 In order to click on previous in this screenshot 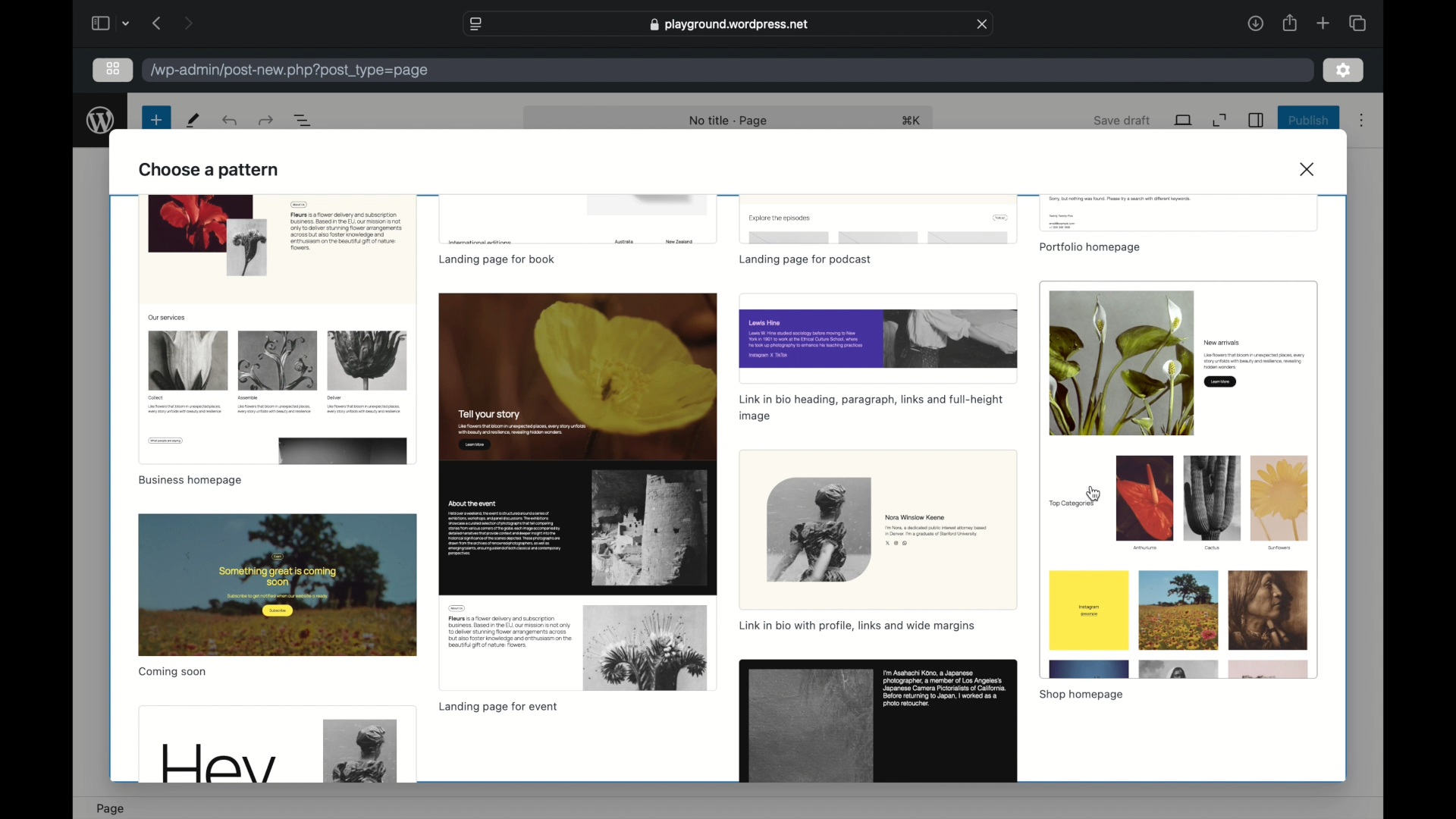, I will do `click(155, 23)`.